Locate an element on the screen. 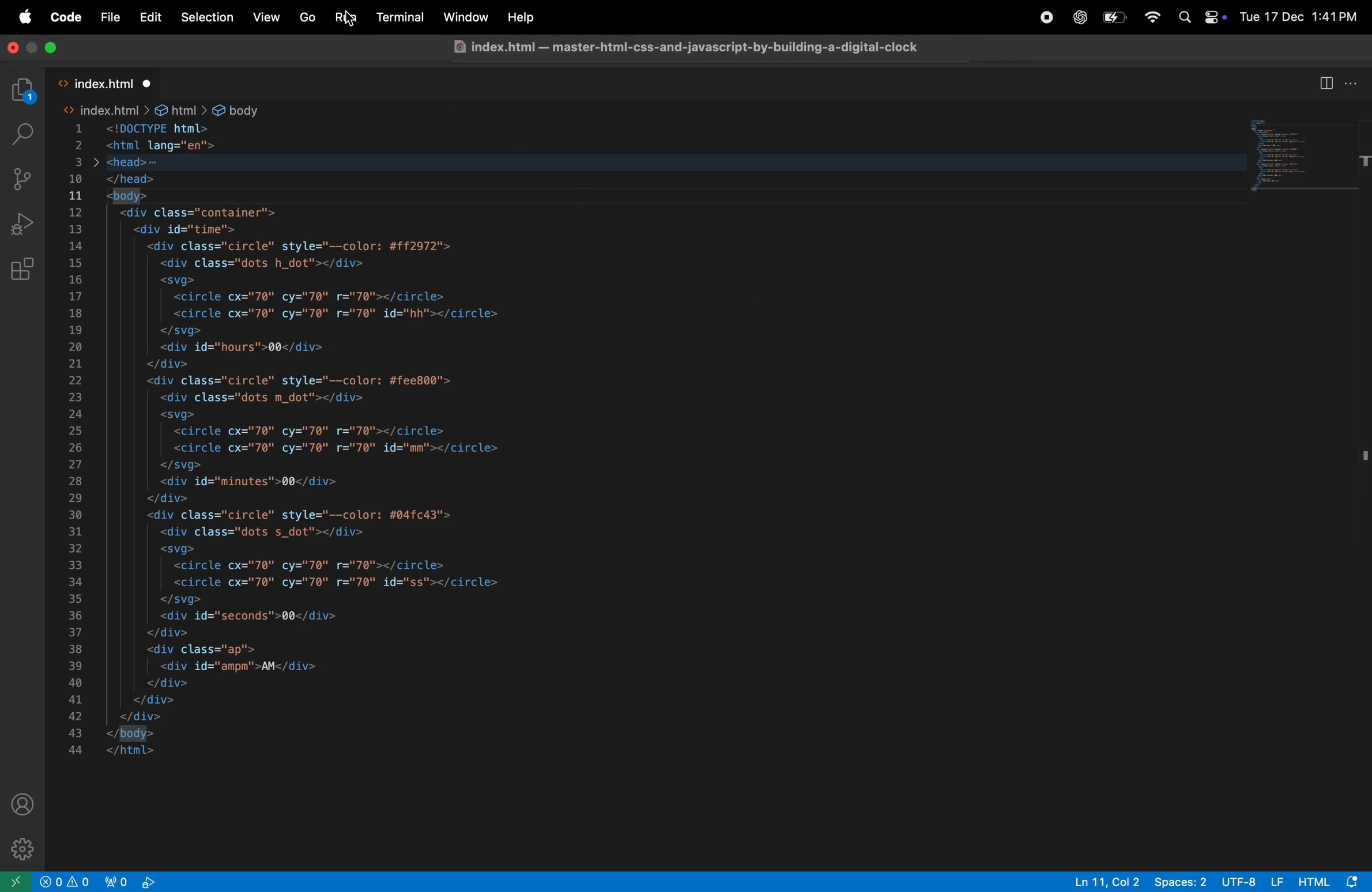 The image size is (1372, 892). apple menu is located at coordinates (26, 18).